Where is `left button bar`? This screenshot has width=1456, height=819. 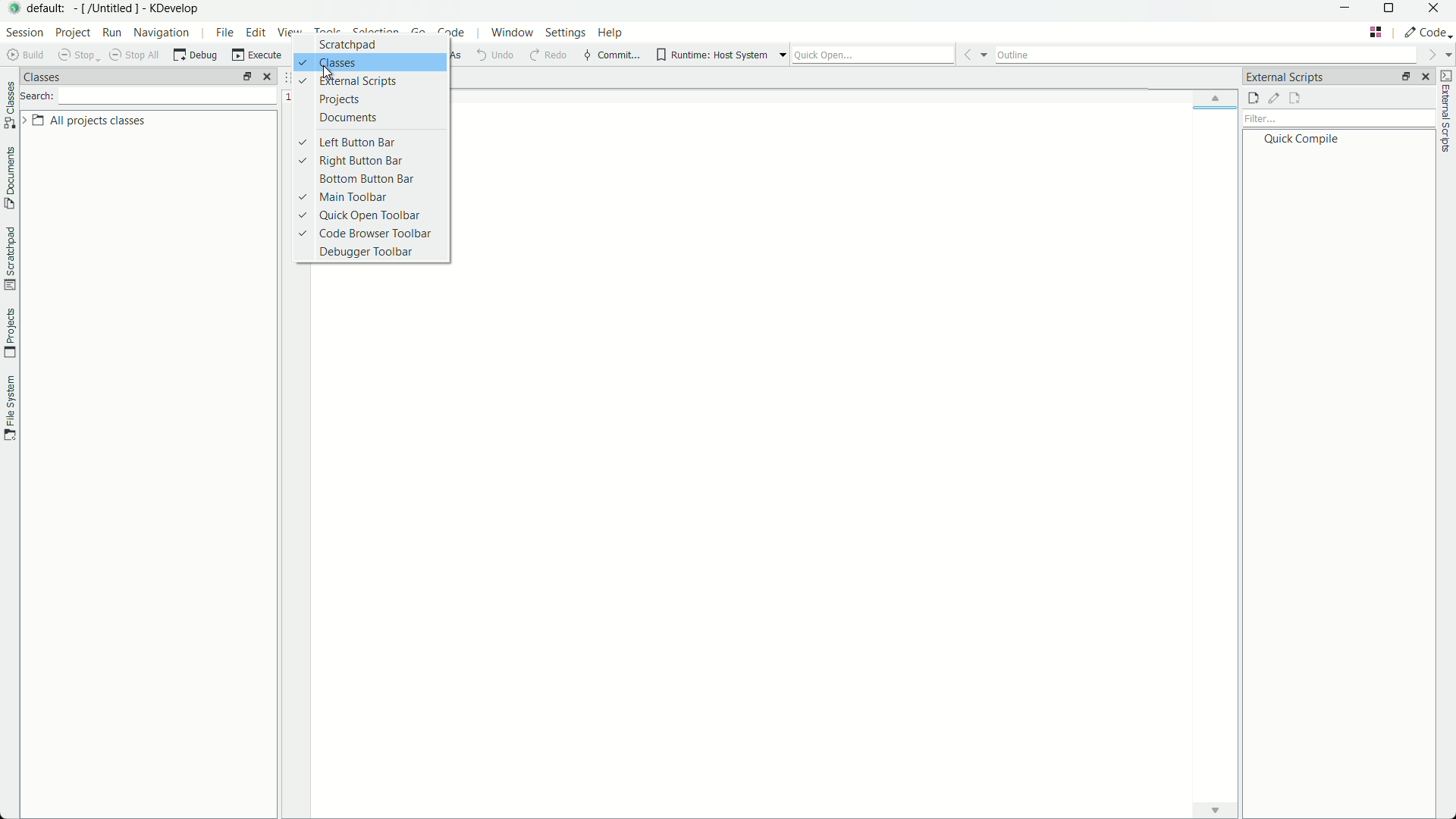
left button bar is located at coordinates (367, 140).